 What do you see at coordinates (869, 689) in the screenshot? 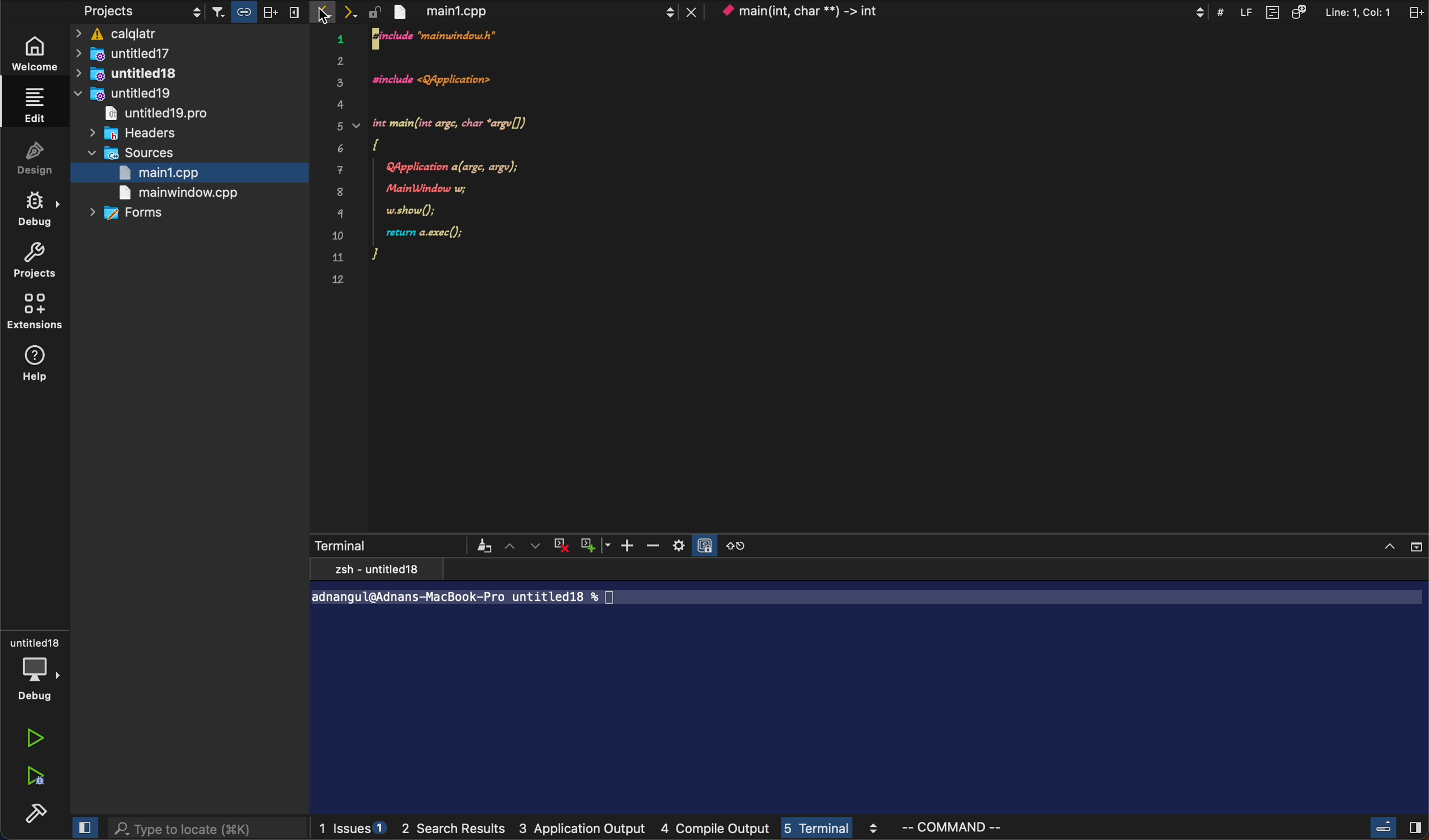
I see `terminal` at bounding box center [869, 689].